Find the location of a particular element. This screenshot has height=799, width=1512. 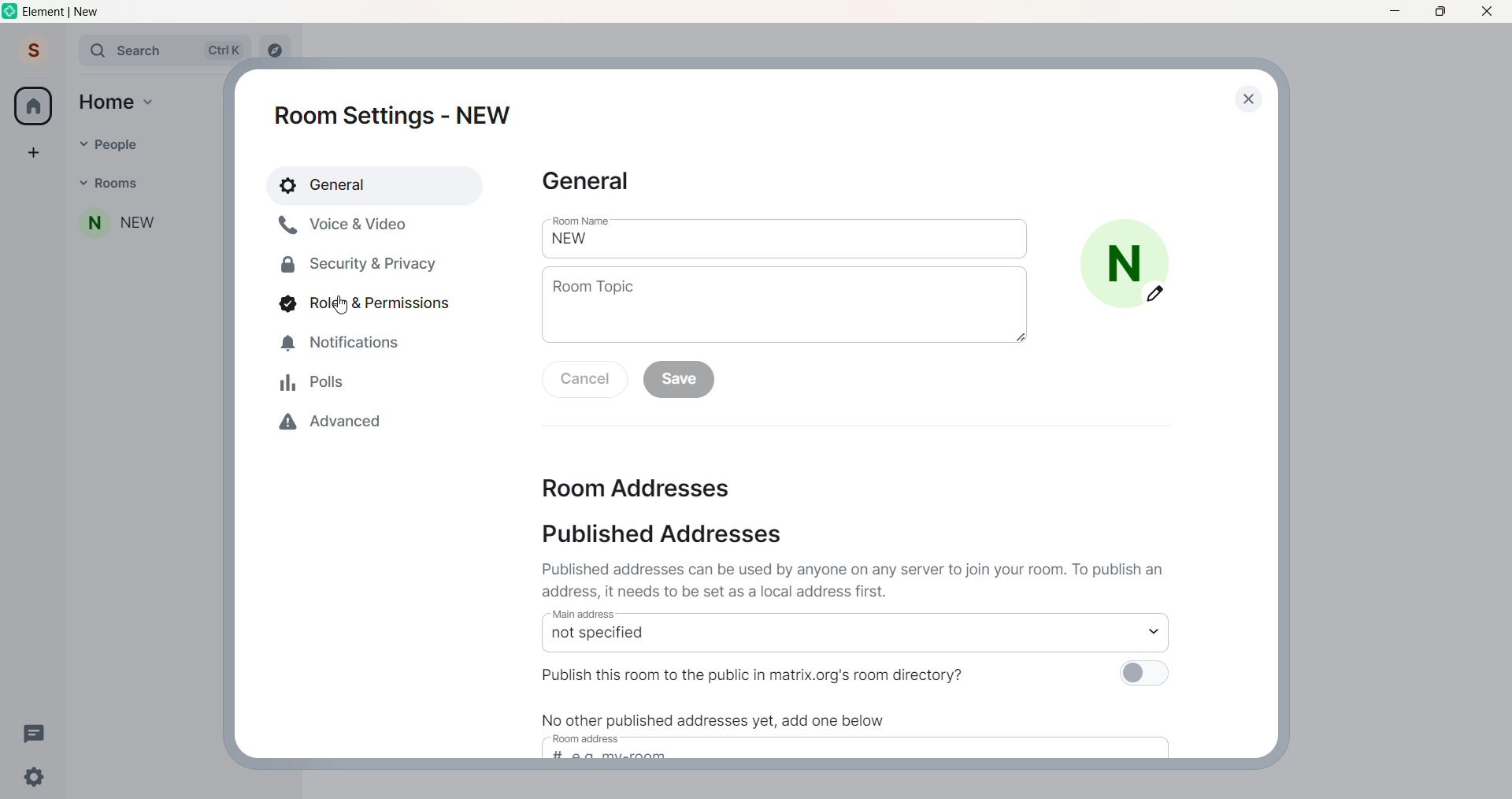

polls is located at coordinates (313, 382).